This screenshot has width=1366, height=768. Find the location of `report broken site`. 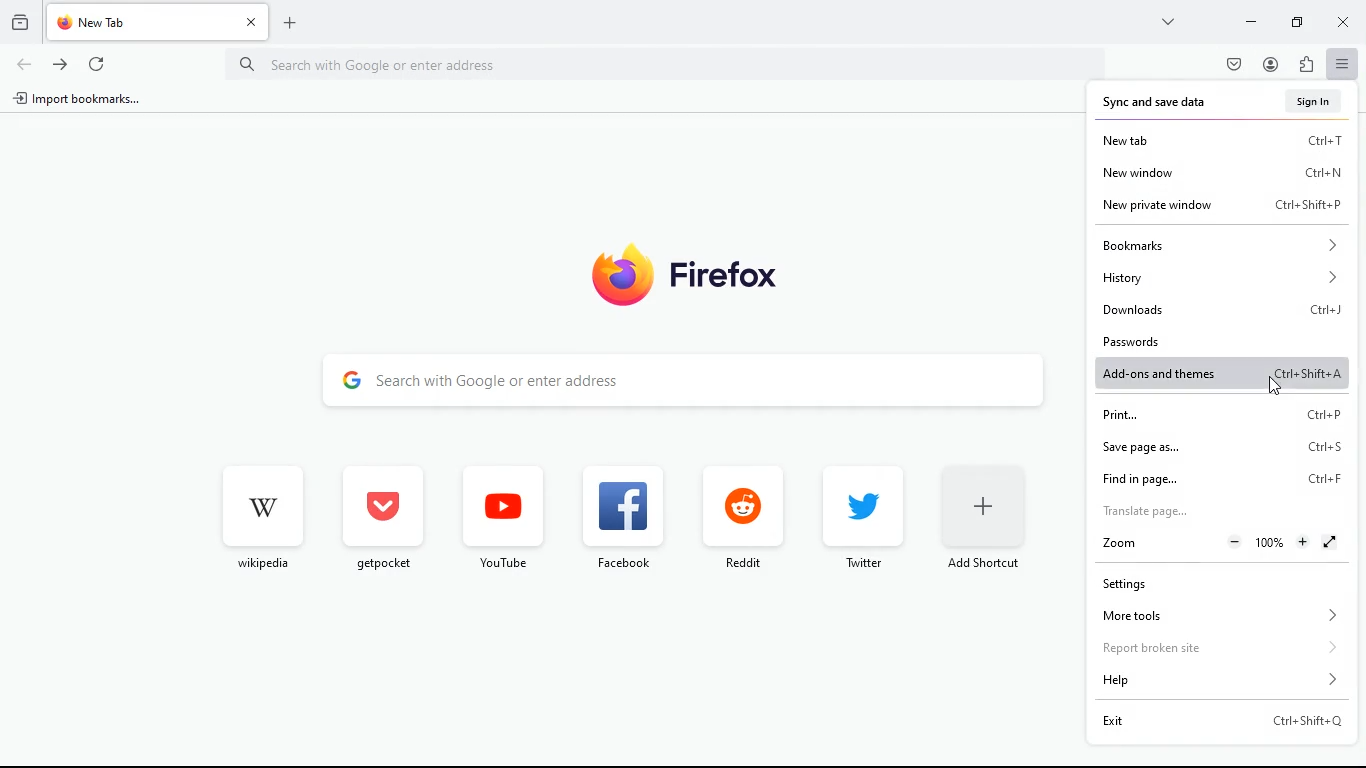

report broken site is located at coordinates (1216, 647).